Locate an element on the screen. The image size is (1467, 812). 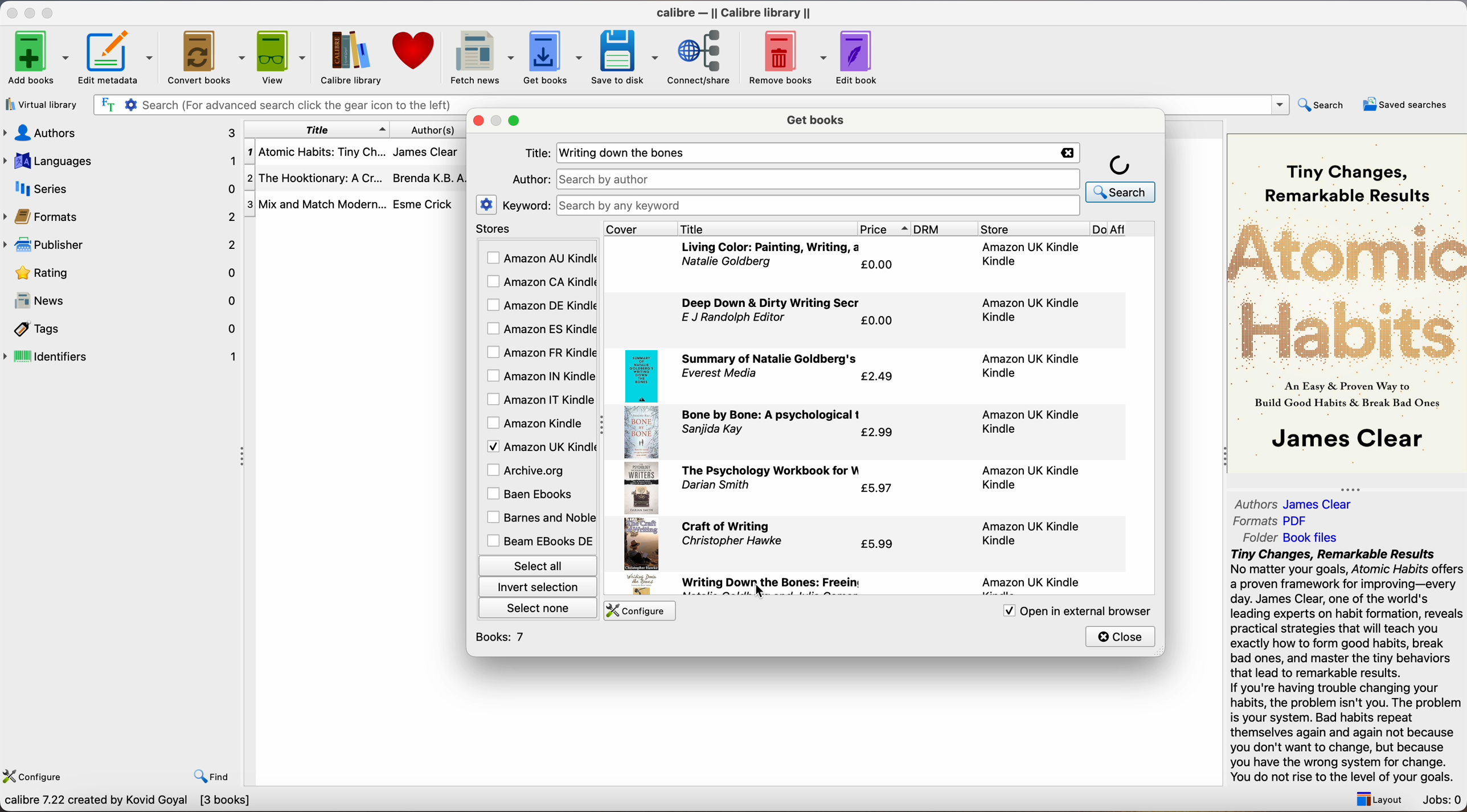
news is located at coordinates (123, 302).